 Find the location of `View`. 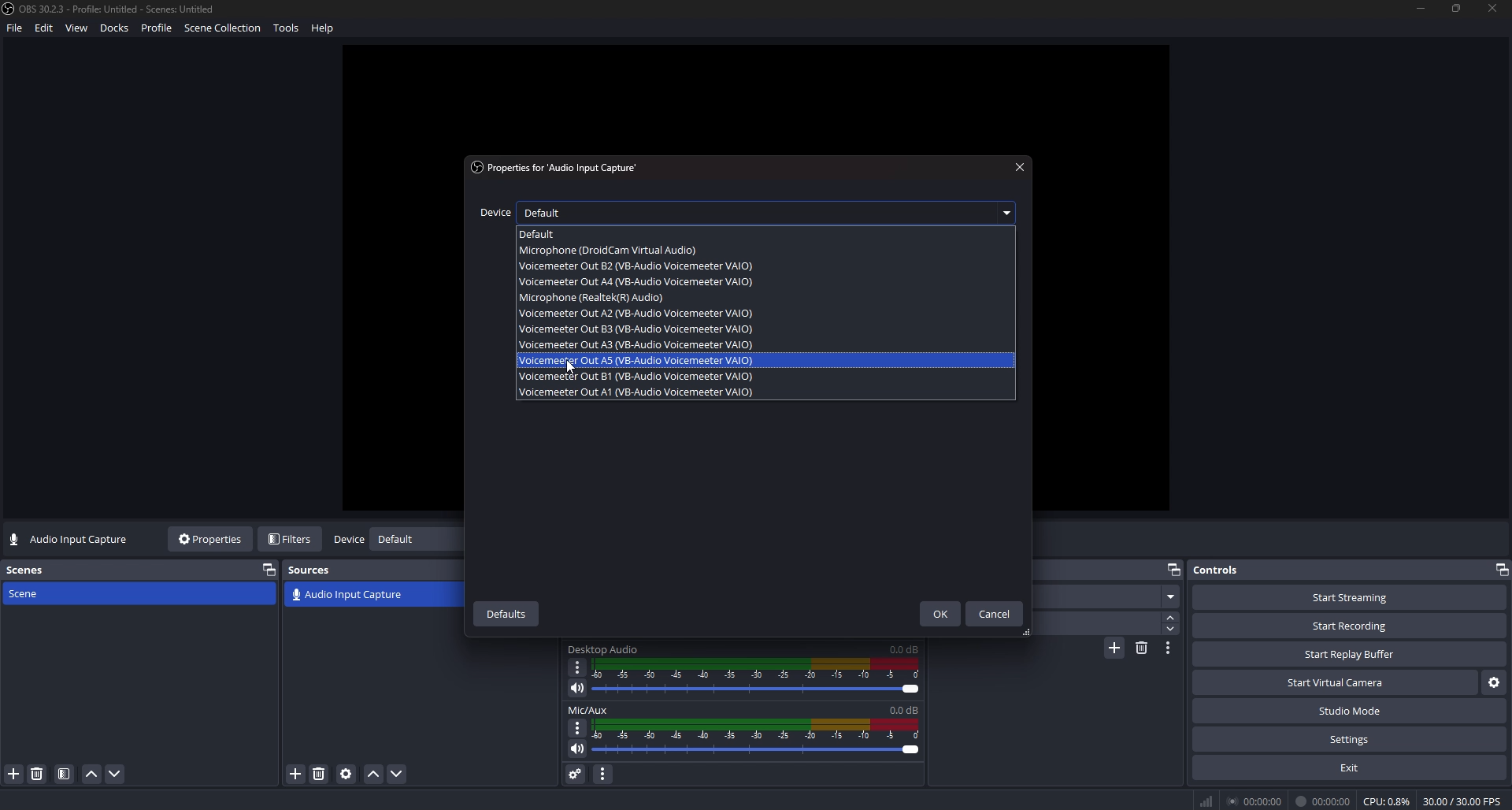

View is located at coordinates (78, 28).